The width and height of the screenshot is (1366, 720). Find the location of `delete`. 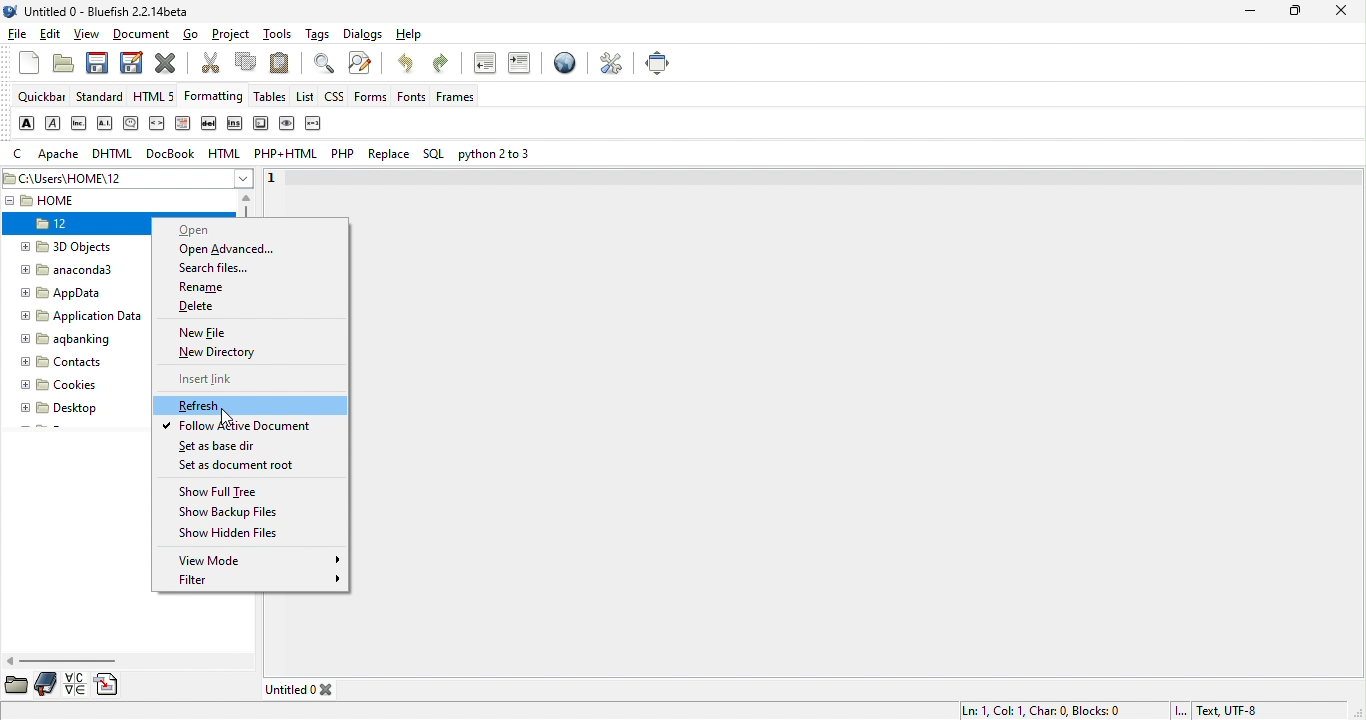

delete is located at coordinates (203, 307).